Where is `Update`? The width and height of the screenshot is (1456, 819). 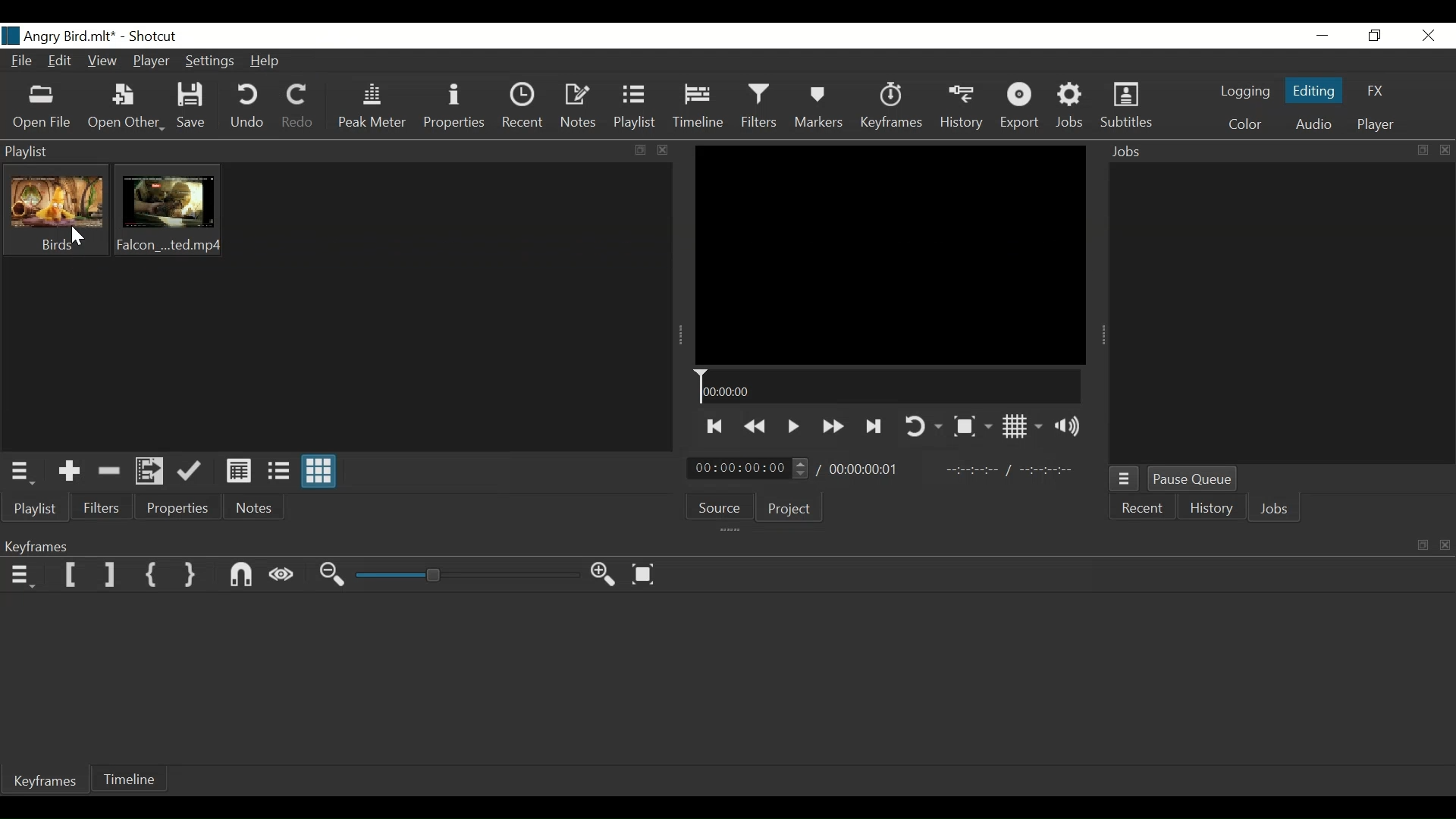
Update is located at coordinates (190, 470).